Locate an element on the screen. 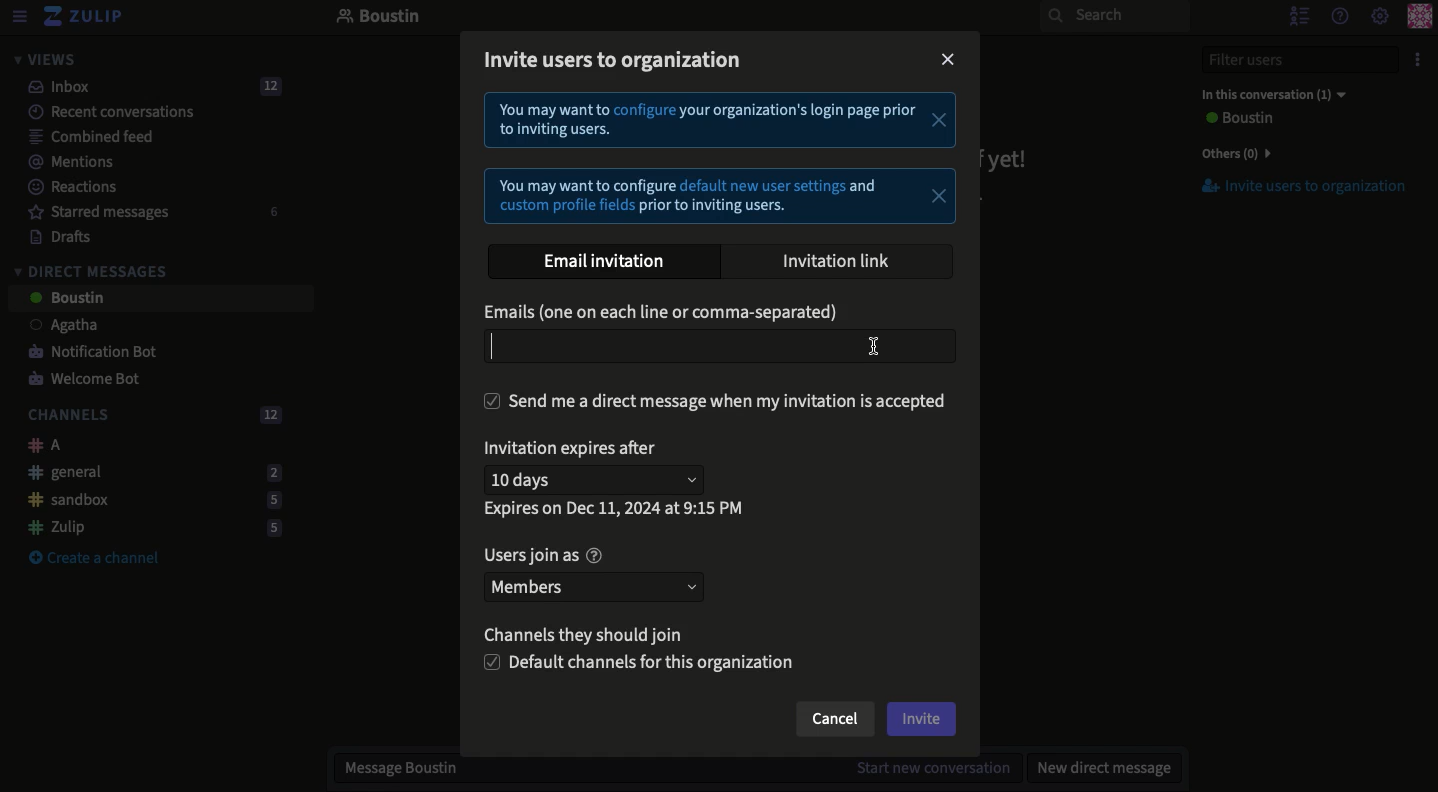 This screenshot has height=792, width=1438. Email invitation  is located at coordinates (612, 262).